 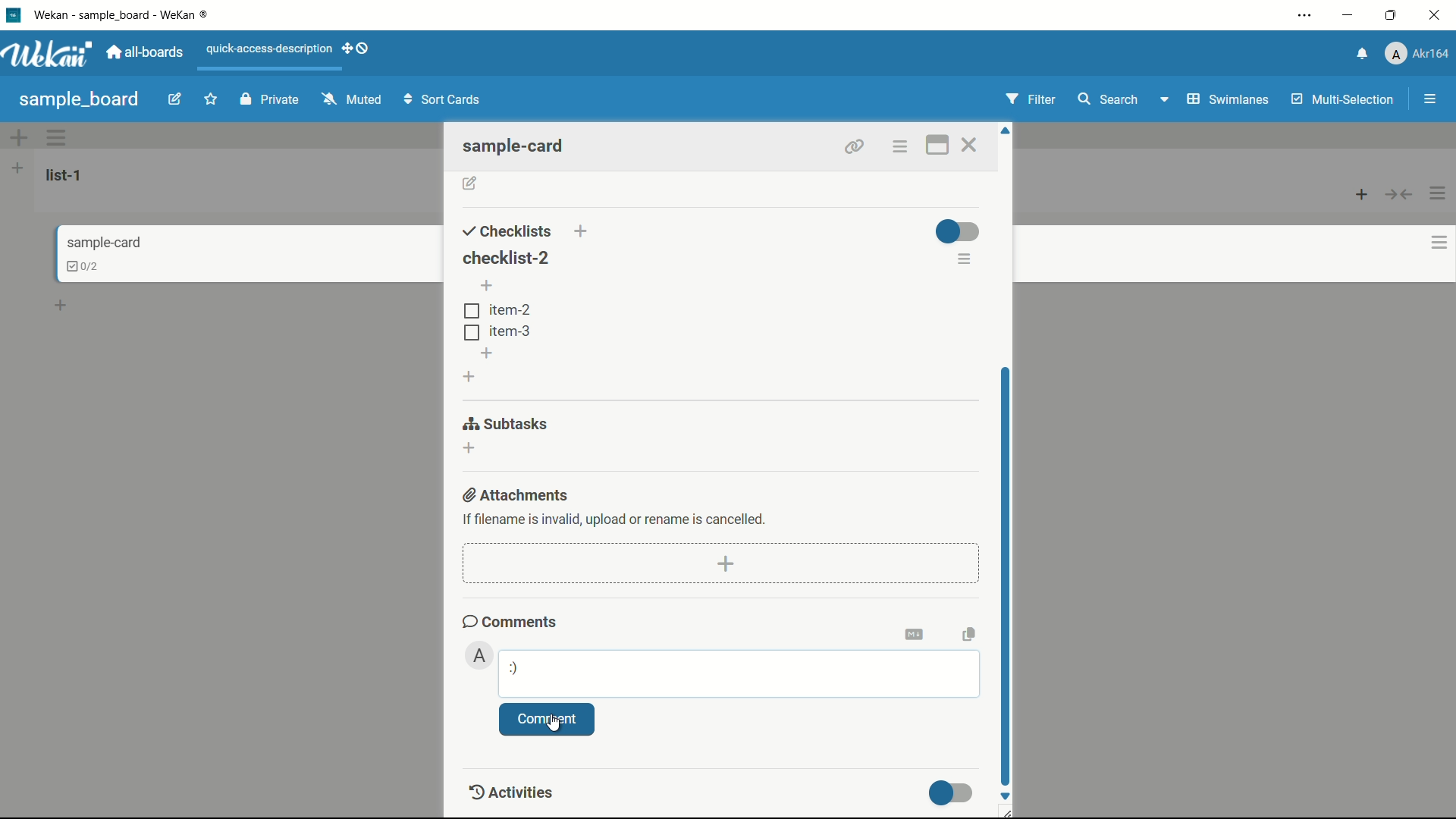 I want to click on add description, so click(x=470, y=184).